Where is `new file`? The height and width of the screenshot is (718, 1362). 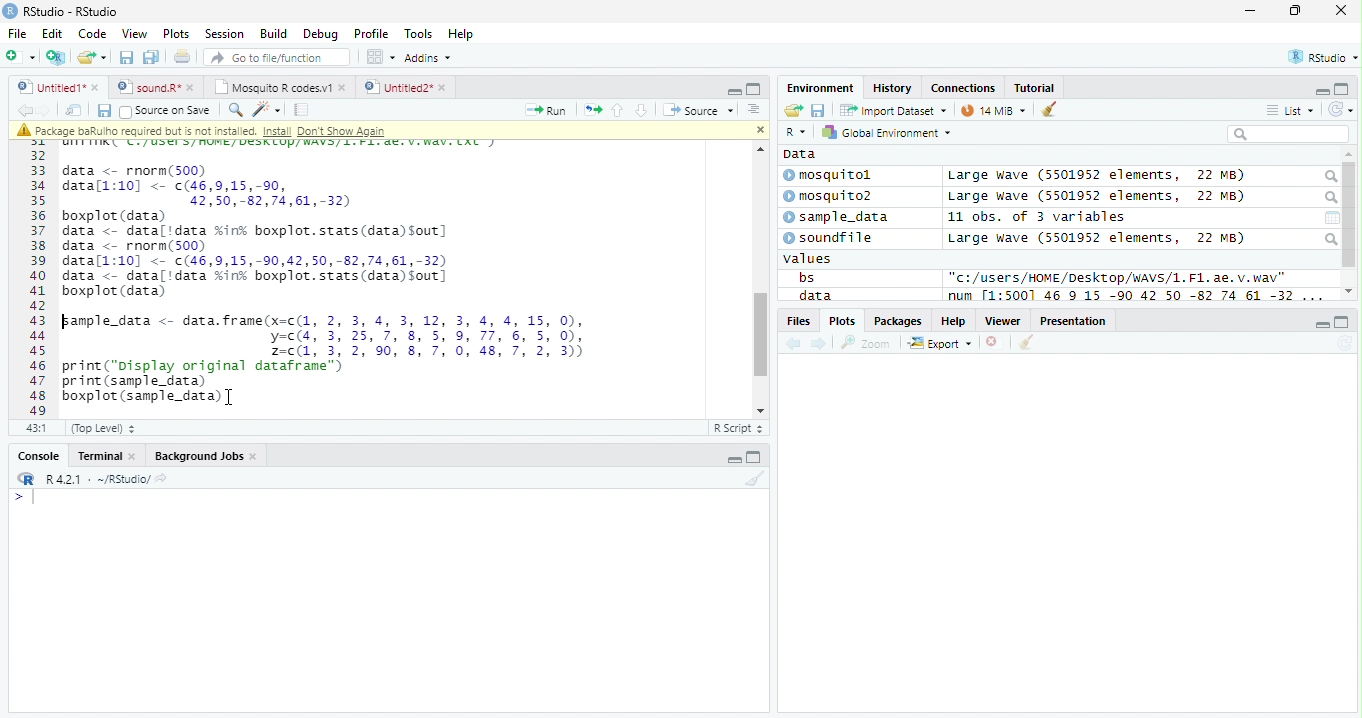 new file is located at coordinates (21, 57).